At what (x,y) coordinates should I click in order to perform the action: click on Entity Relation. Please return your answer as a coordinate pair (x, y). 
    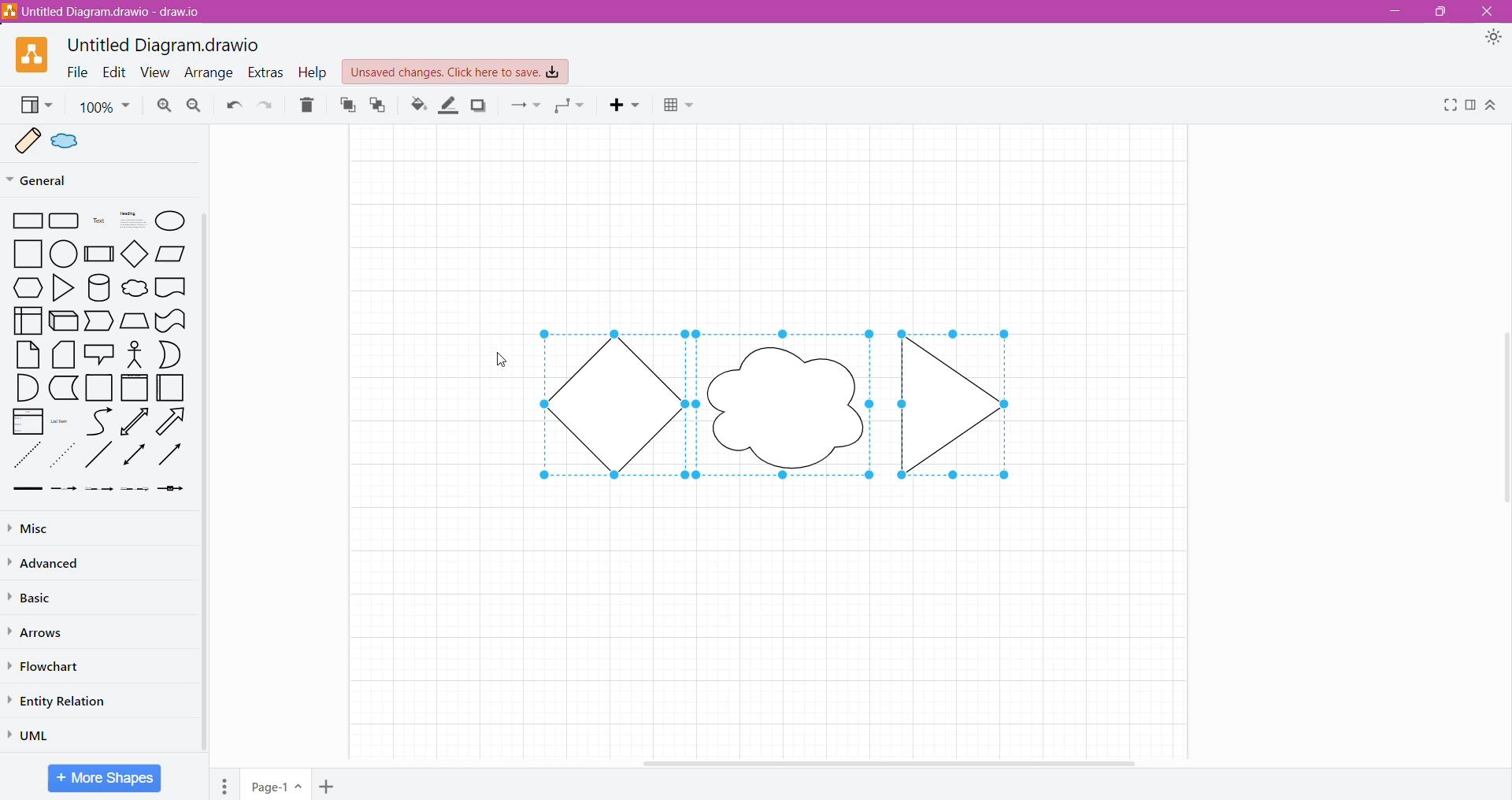
    Looking at the image, I should click on (67, 701).